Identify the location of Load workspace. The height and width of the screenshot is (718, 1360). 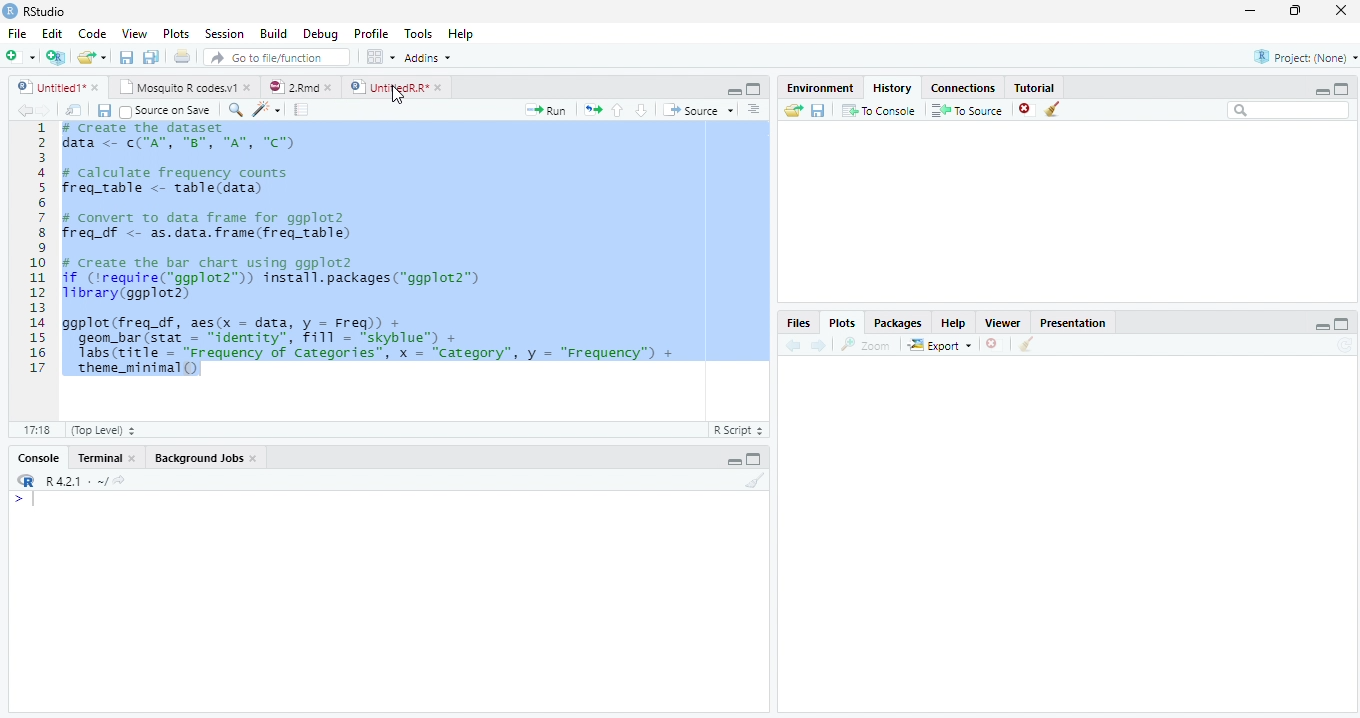
(790, 112).